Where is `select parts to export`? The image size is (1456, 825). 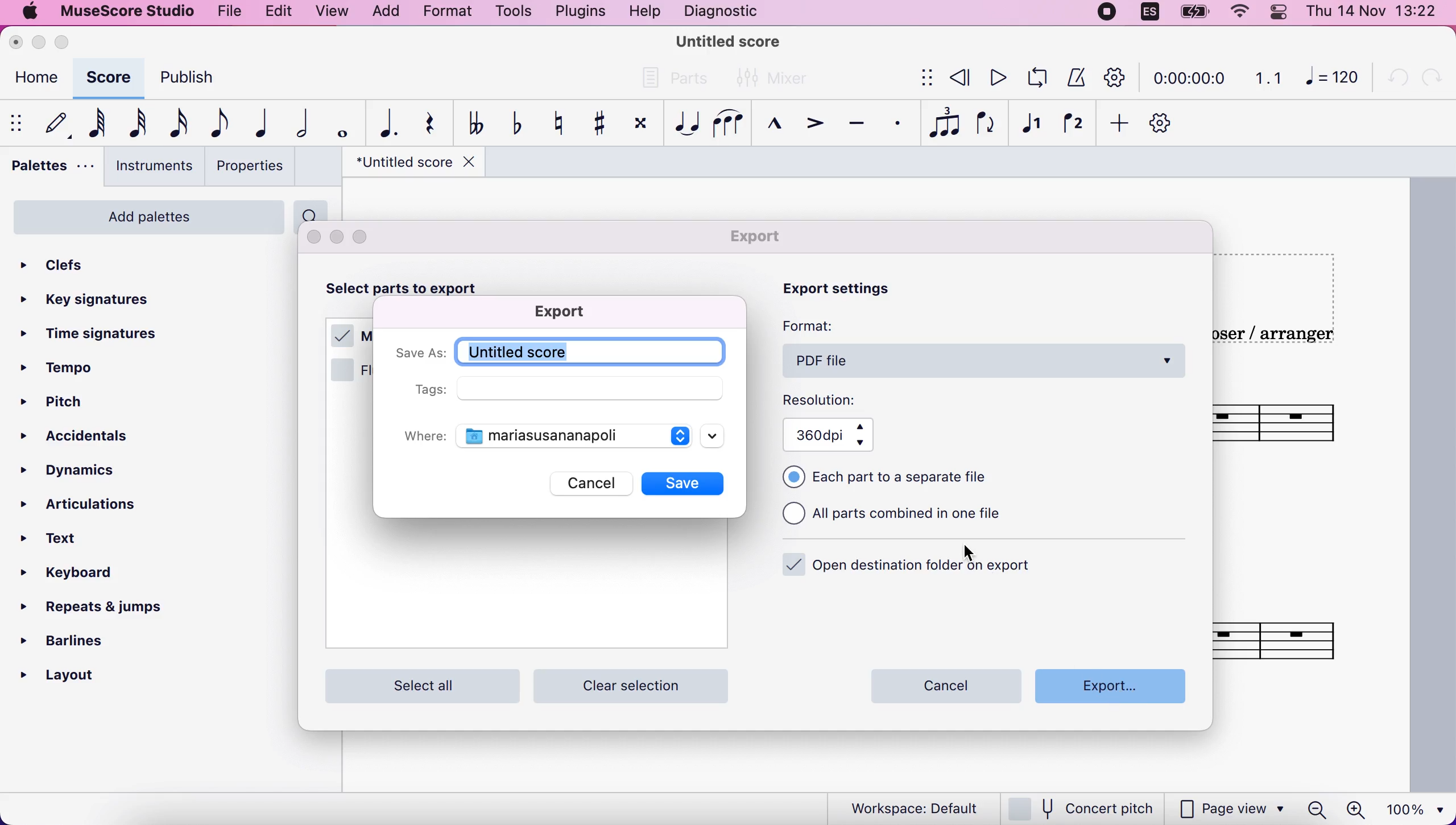
select parts to export is located at coordinates (427, 290).